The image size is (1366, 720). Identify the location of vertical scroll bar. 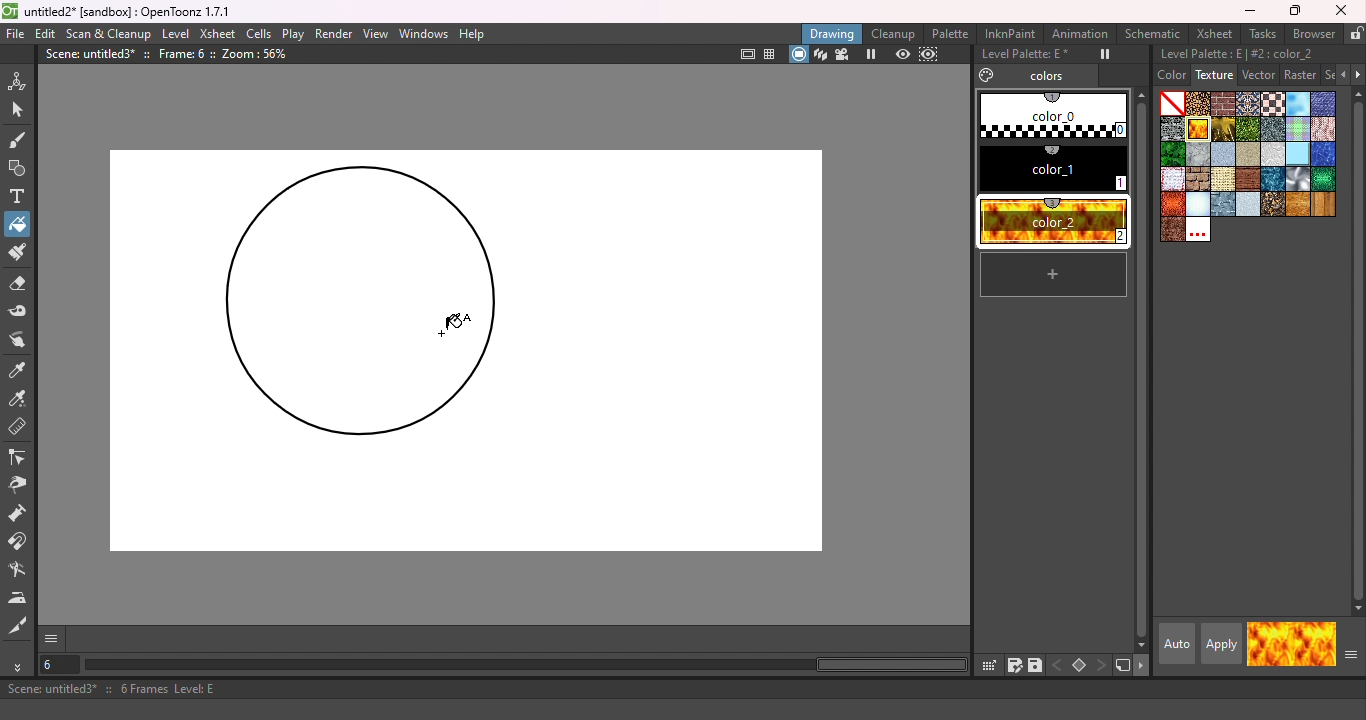
(1139, 369).